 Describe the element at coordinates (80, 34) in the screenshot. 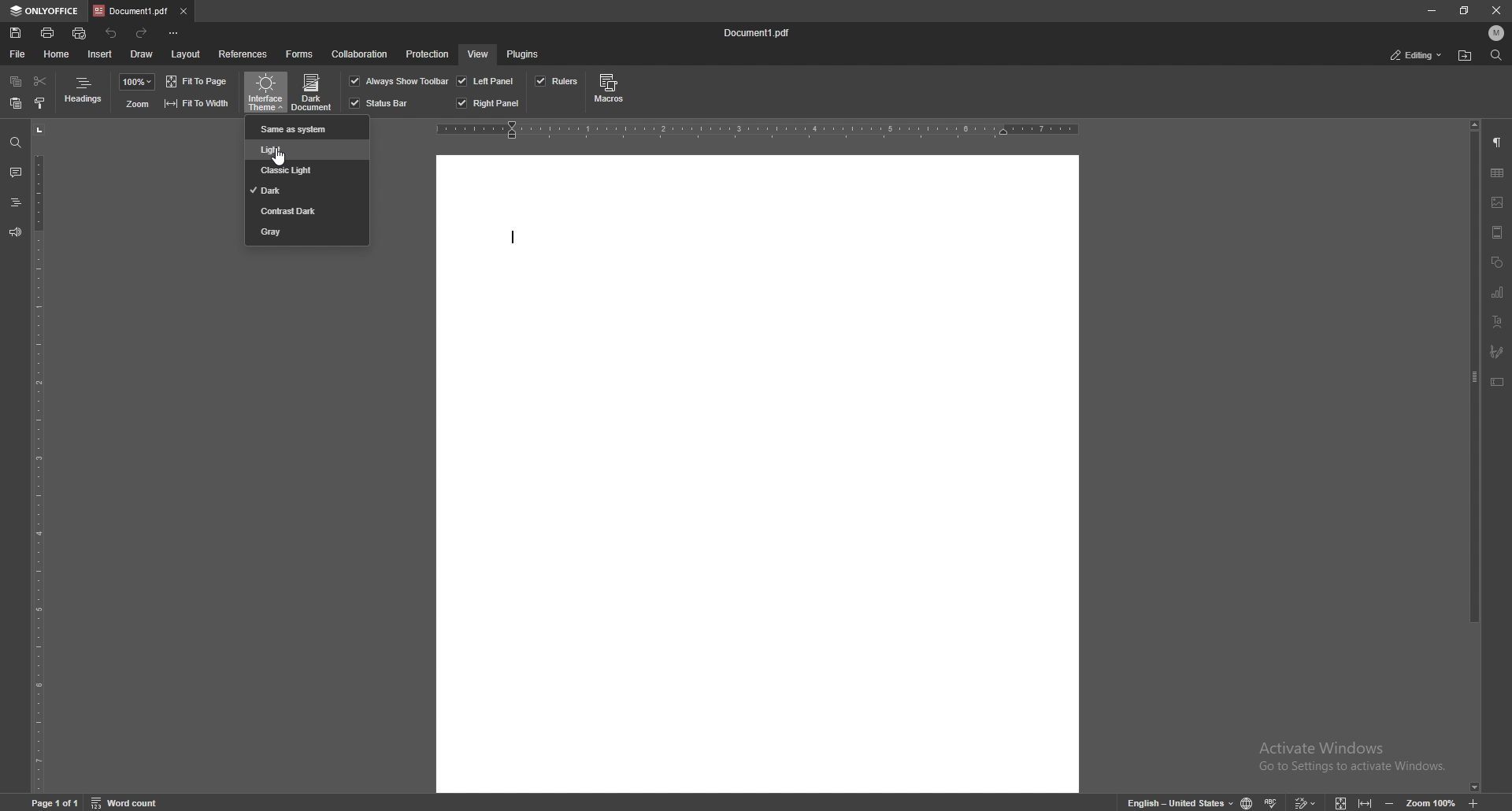

I see `quick print` at that location.